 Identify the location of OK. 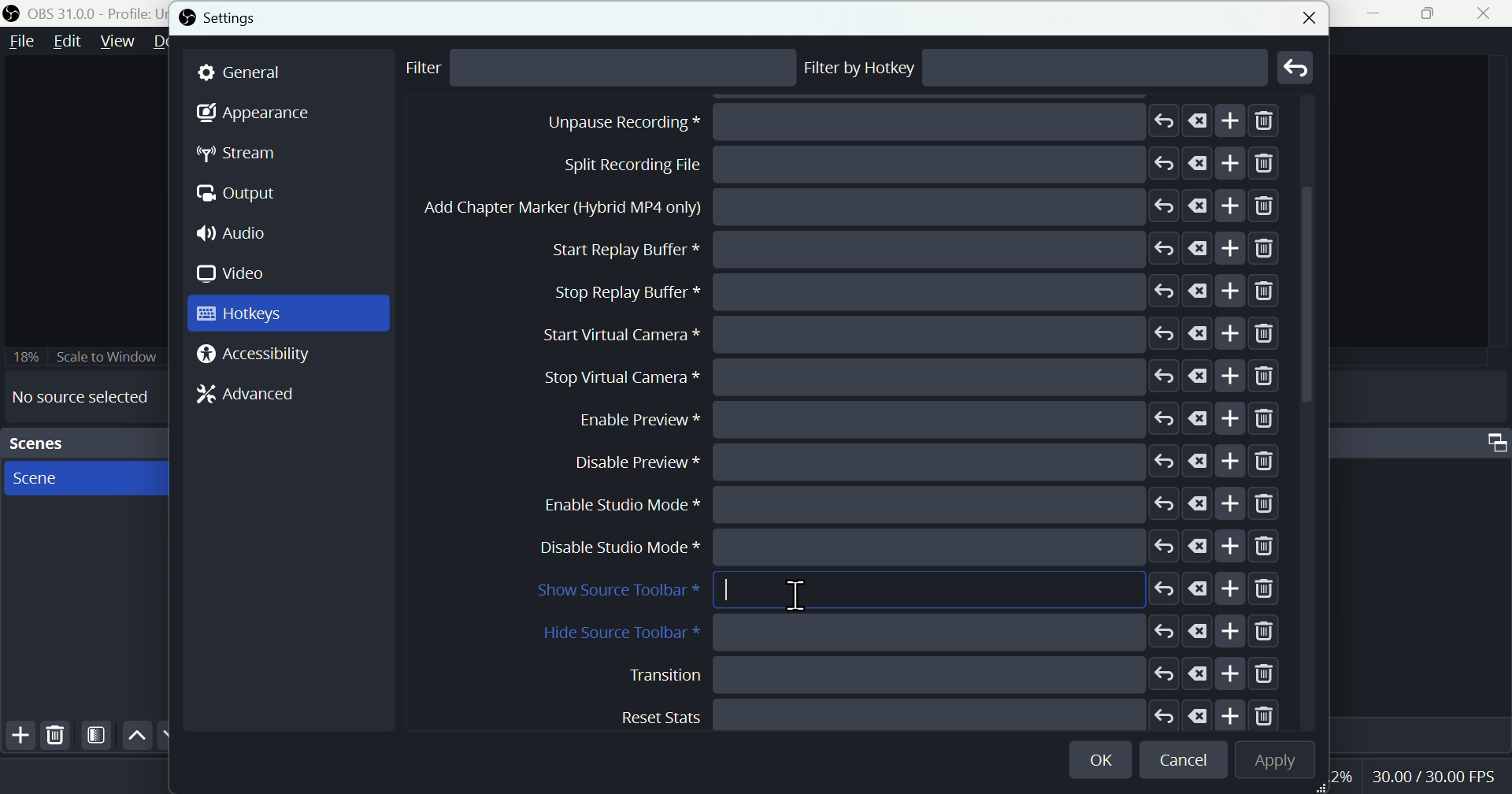
(1103, 757).